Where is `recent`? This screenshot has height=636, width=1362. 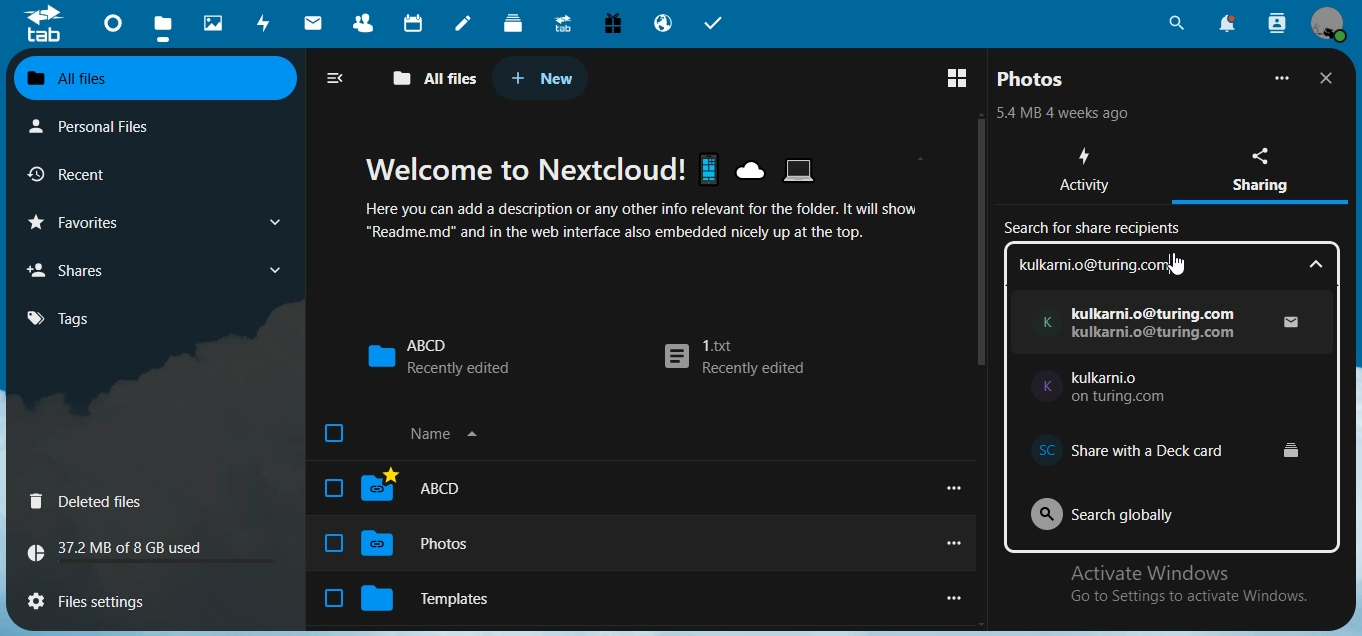
recent is located at coordinates (103, 175).